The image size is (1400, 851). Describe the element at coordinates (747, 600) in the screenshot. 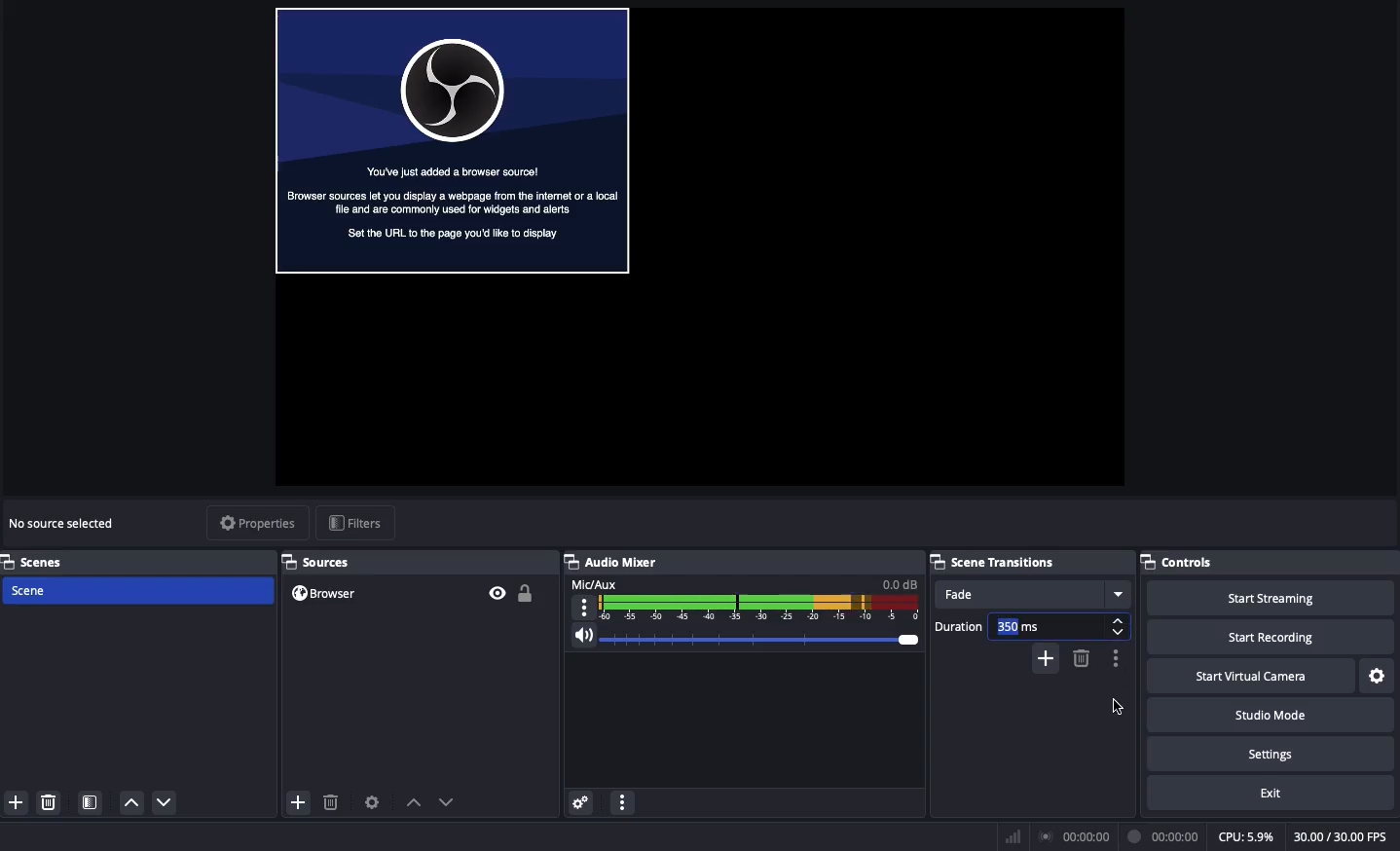

I see `Mic aux` at that location.